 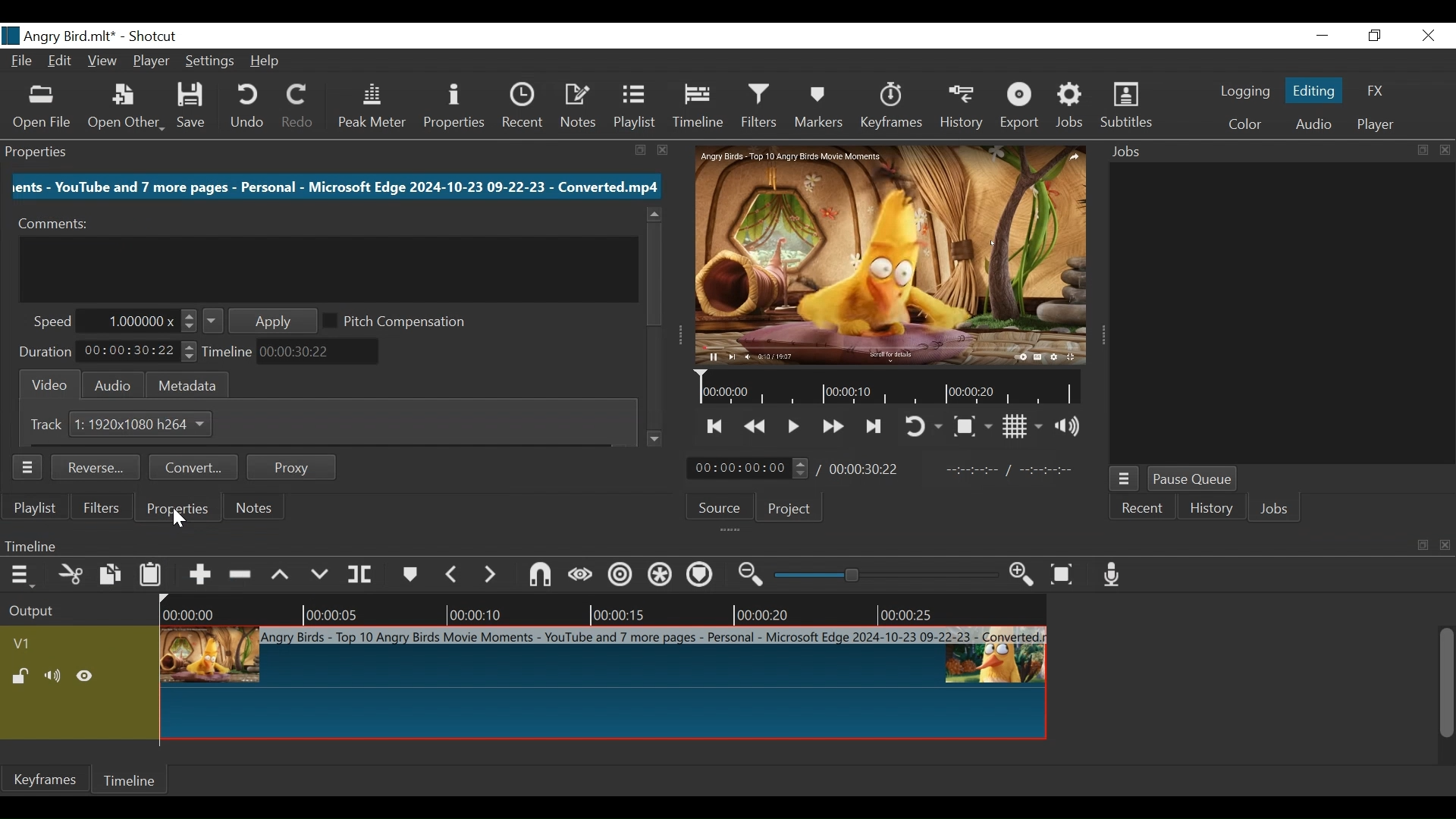 What do you see at coordinates (789, 509) in the screenshot?
I see `Project` at bounding box center [789, 509].